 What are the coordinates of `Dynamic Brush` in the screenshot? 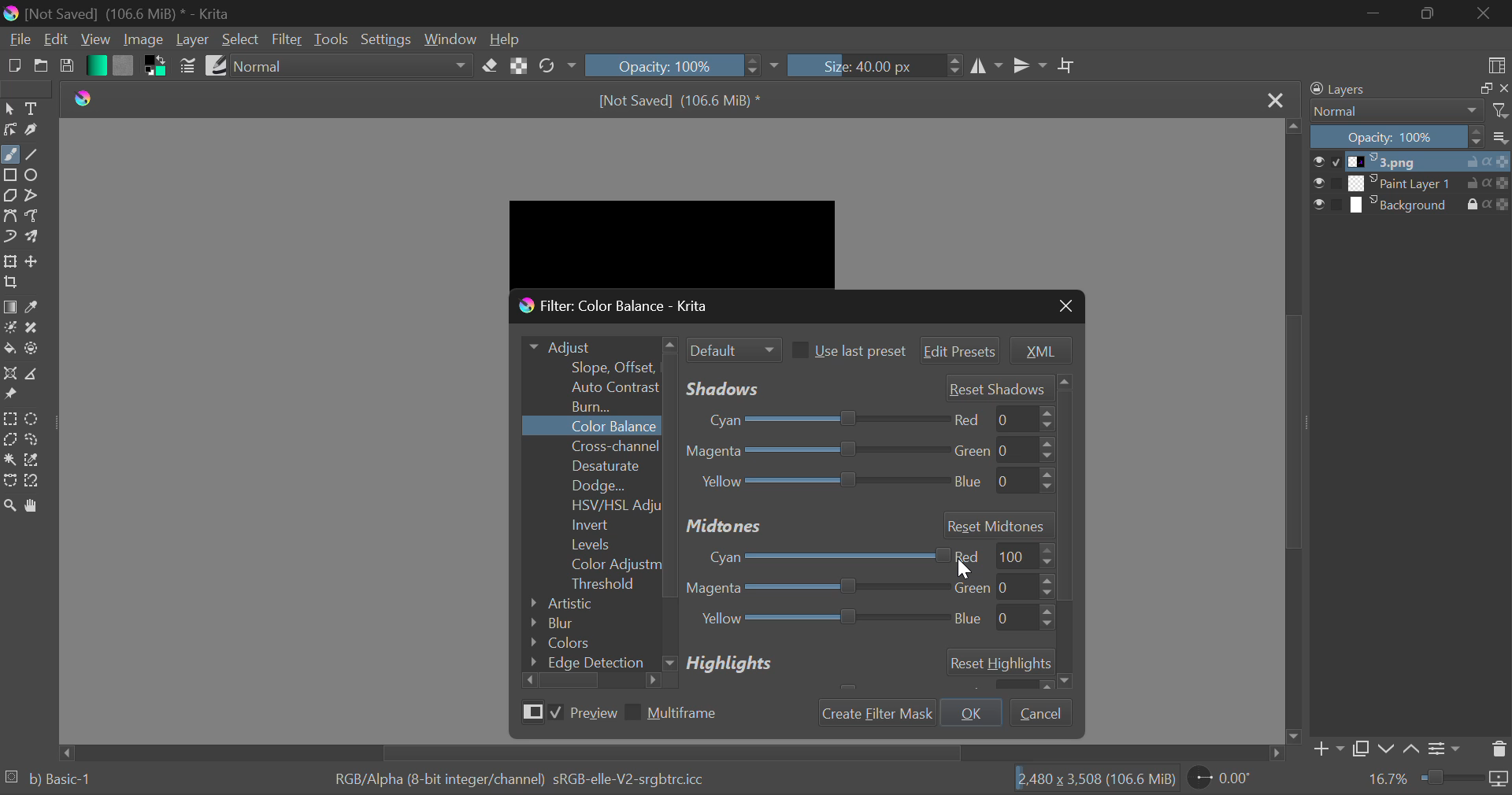 It's located at (10, 238).